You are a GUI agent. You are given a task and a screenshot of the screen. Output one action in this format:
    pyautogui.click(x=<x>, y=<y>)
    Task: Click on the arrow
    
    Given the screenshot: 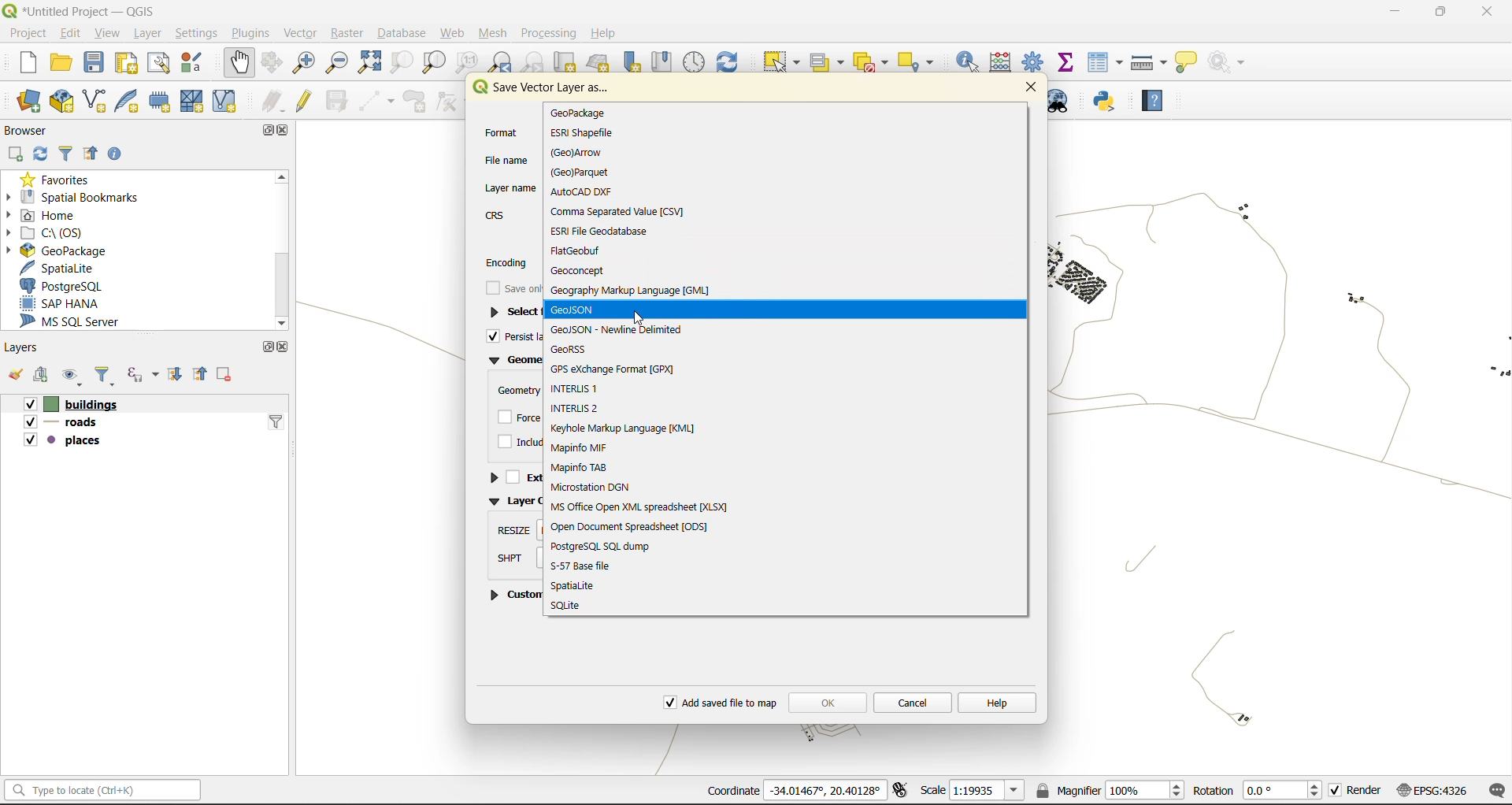 What is the action you would take?
    pyautogui.click(x=584, y=153)
    